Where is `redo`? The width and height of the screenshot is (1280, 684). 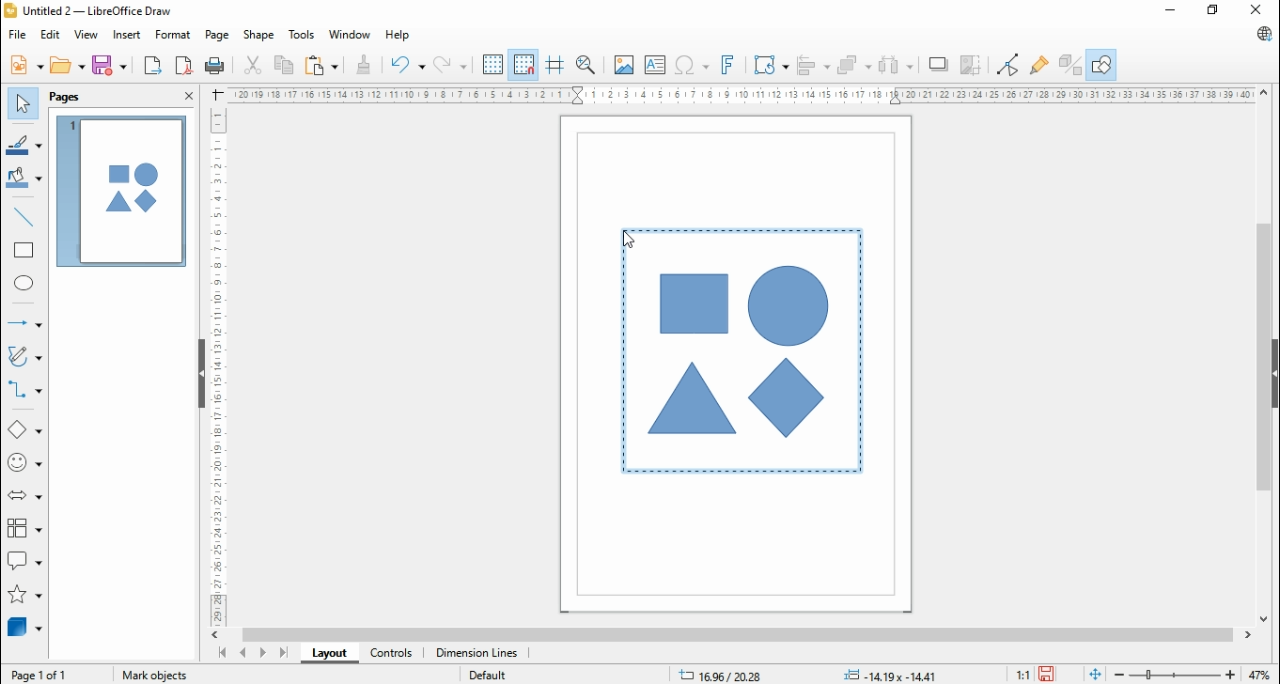 redo is located at coordinates (452, 65).